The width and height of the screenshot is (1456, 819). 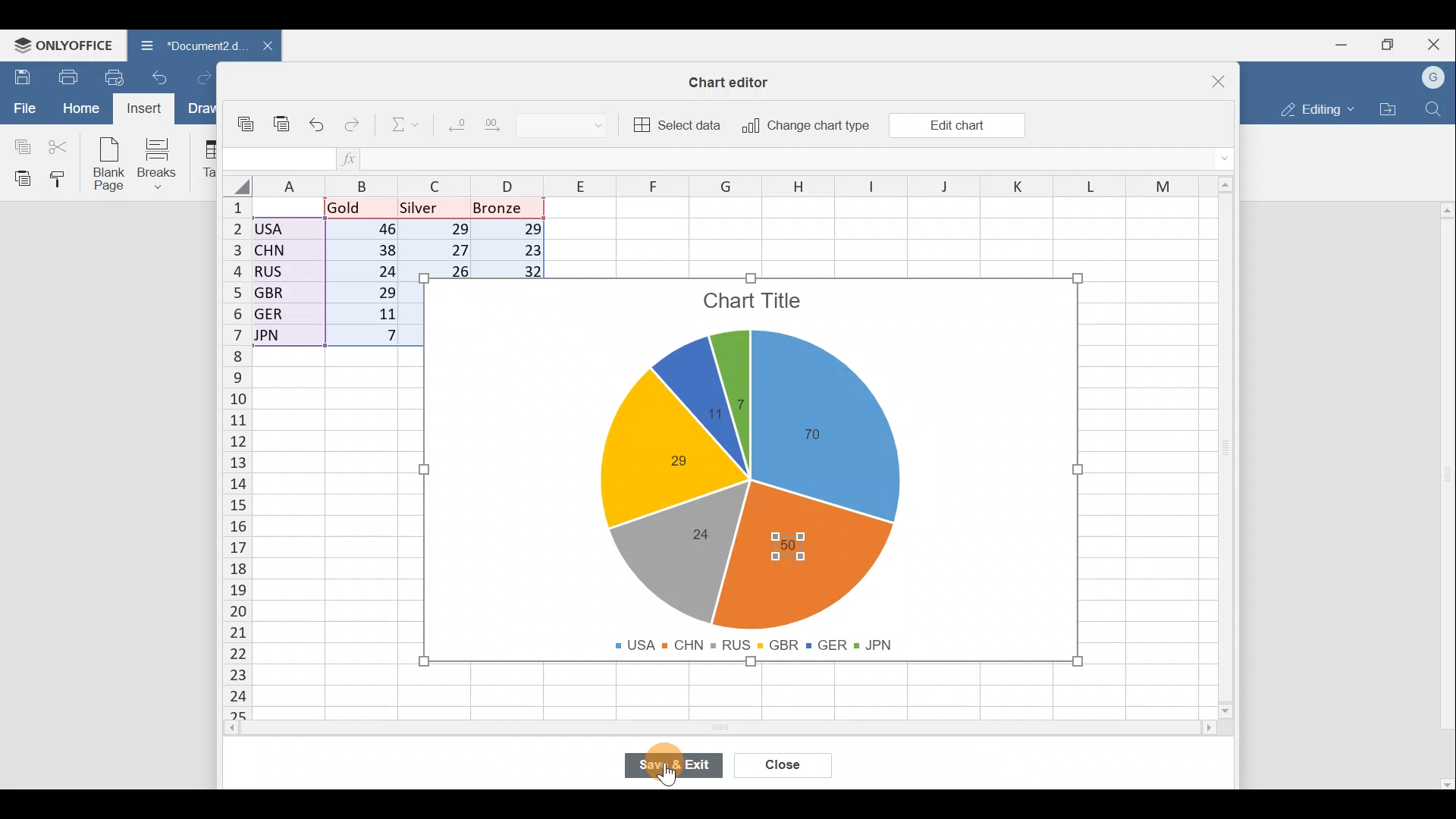 I want to click on Cut, so click(x=59, y=146).